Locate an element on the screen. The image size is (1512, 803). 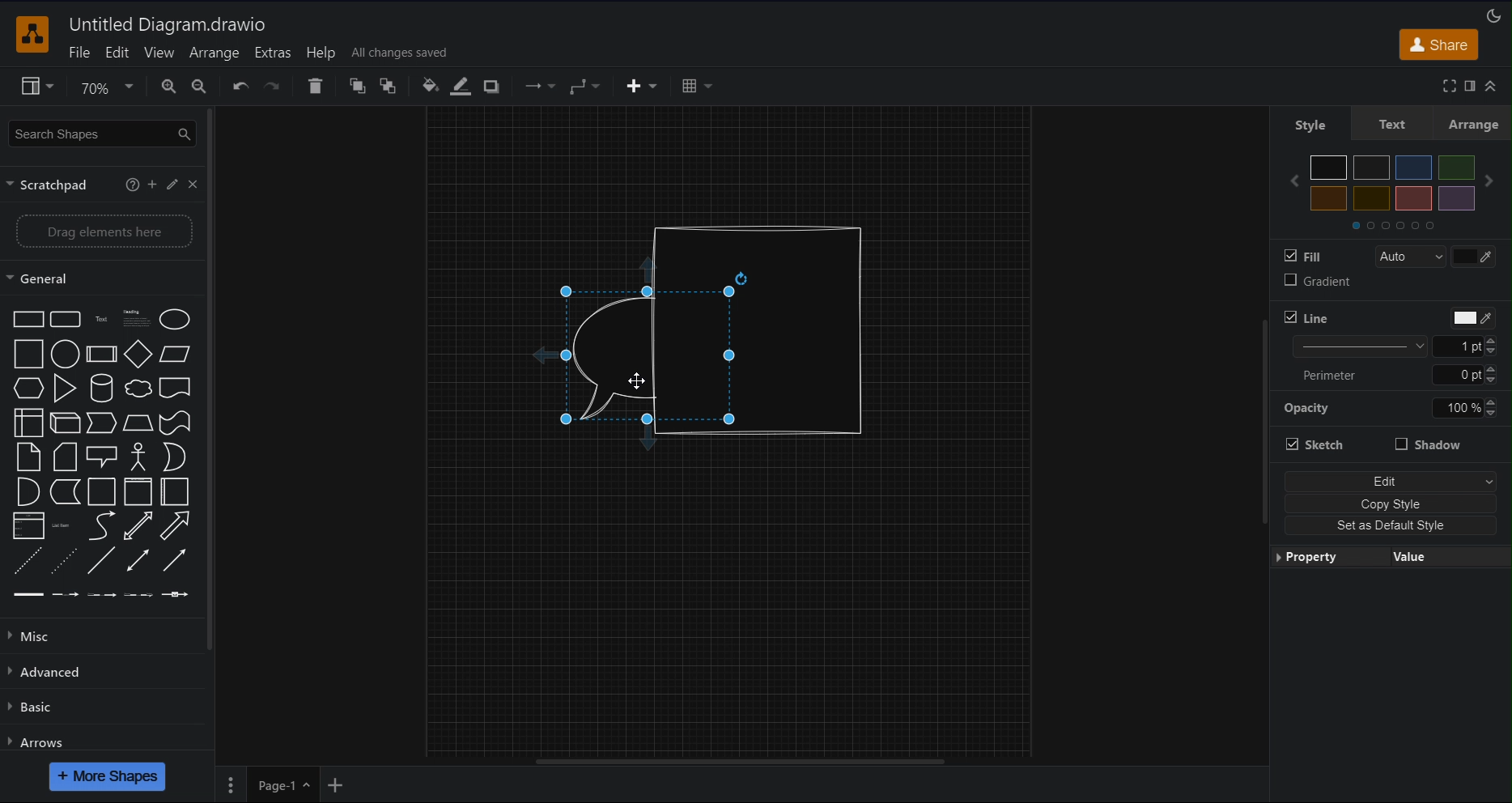
Cylinder is located at coordinates (102, 388).